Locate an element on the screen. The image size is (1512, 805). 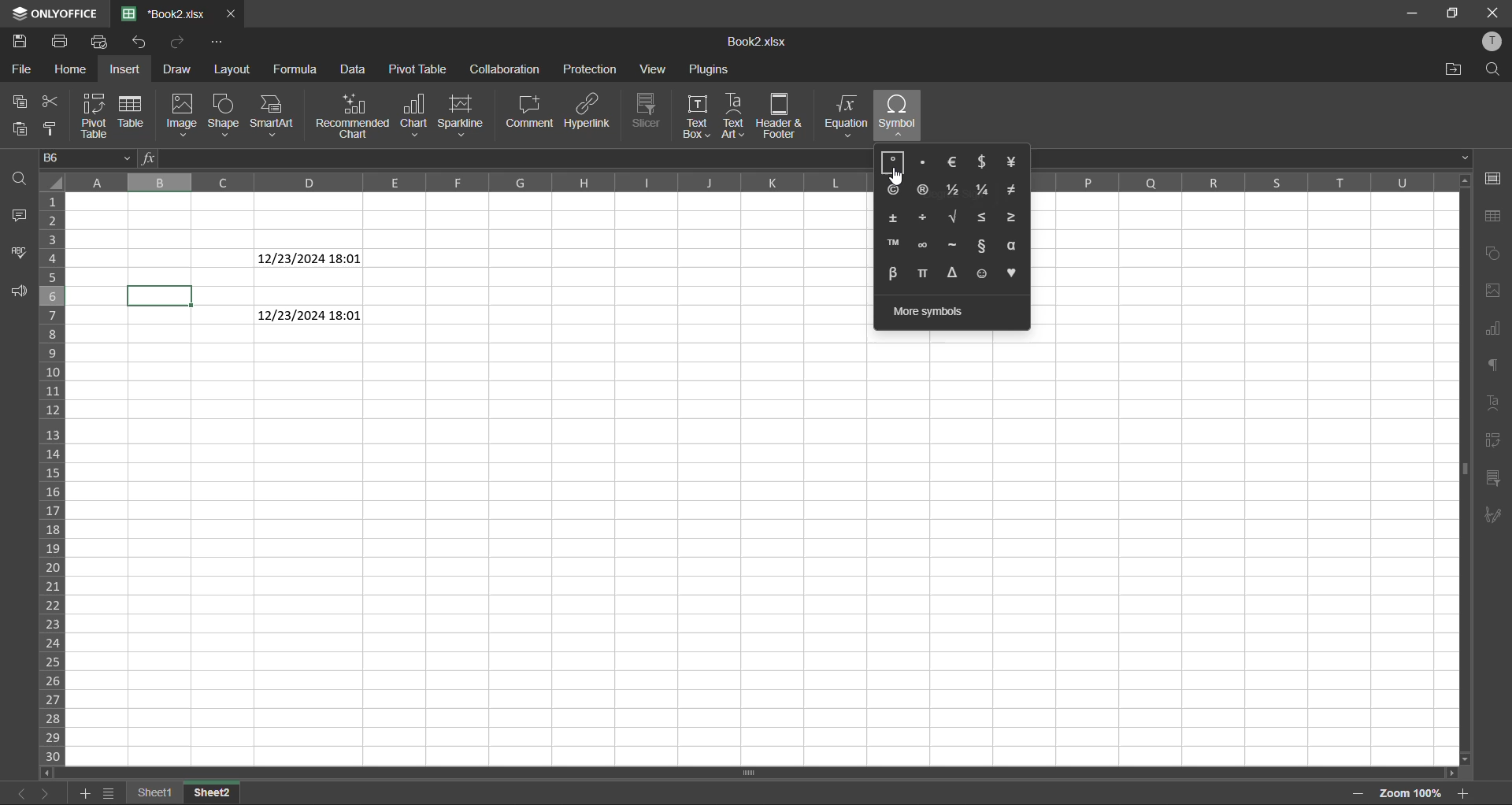
copy style is located at coordinates (51, 129).